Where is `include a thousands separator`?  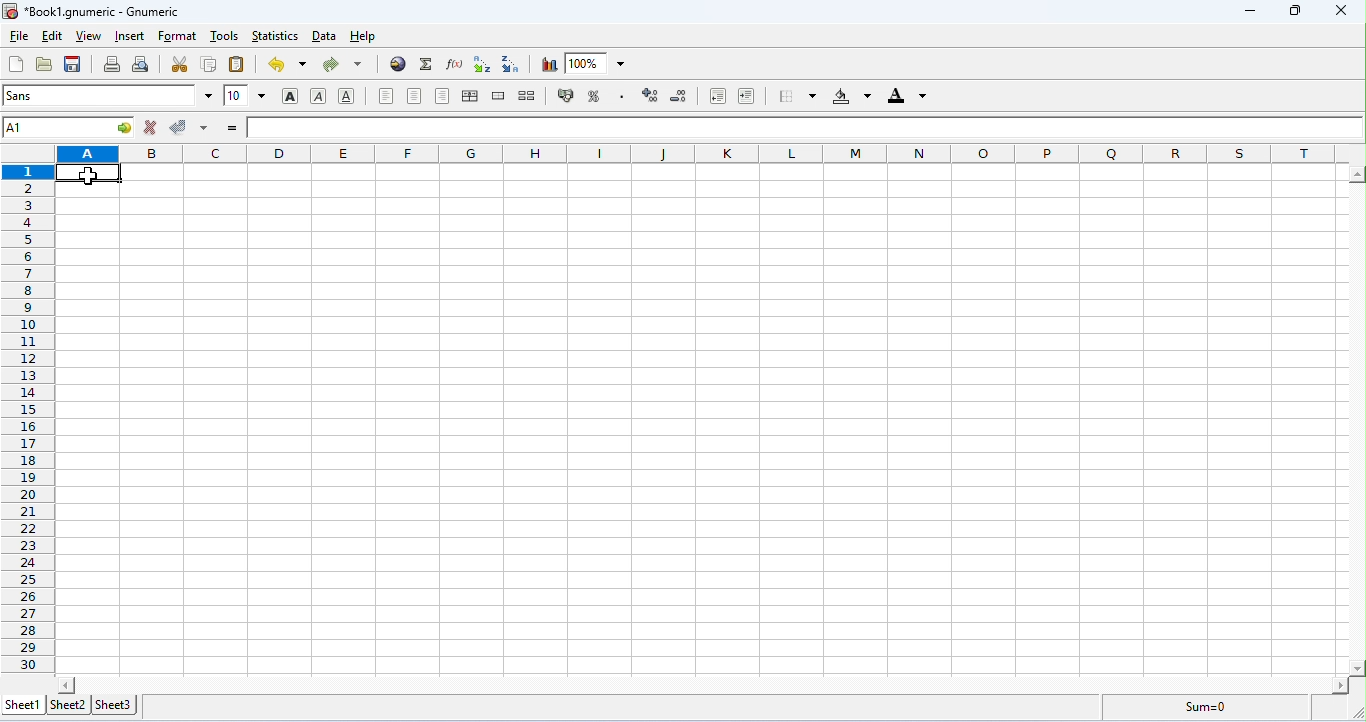
include a thousands separator is located at coordinates (623, 96).